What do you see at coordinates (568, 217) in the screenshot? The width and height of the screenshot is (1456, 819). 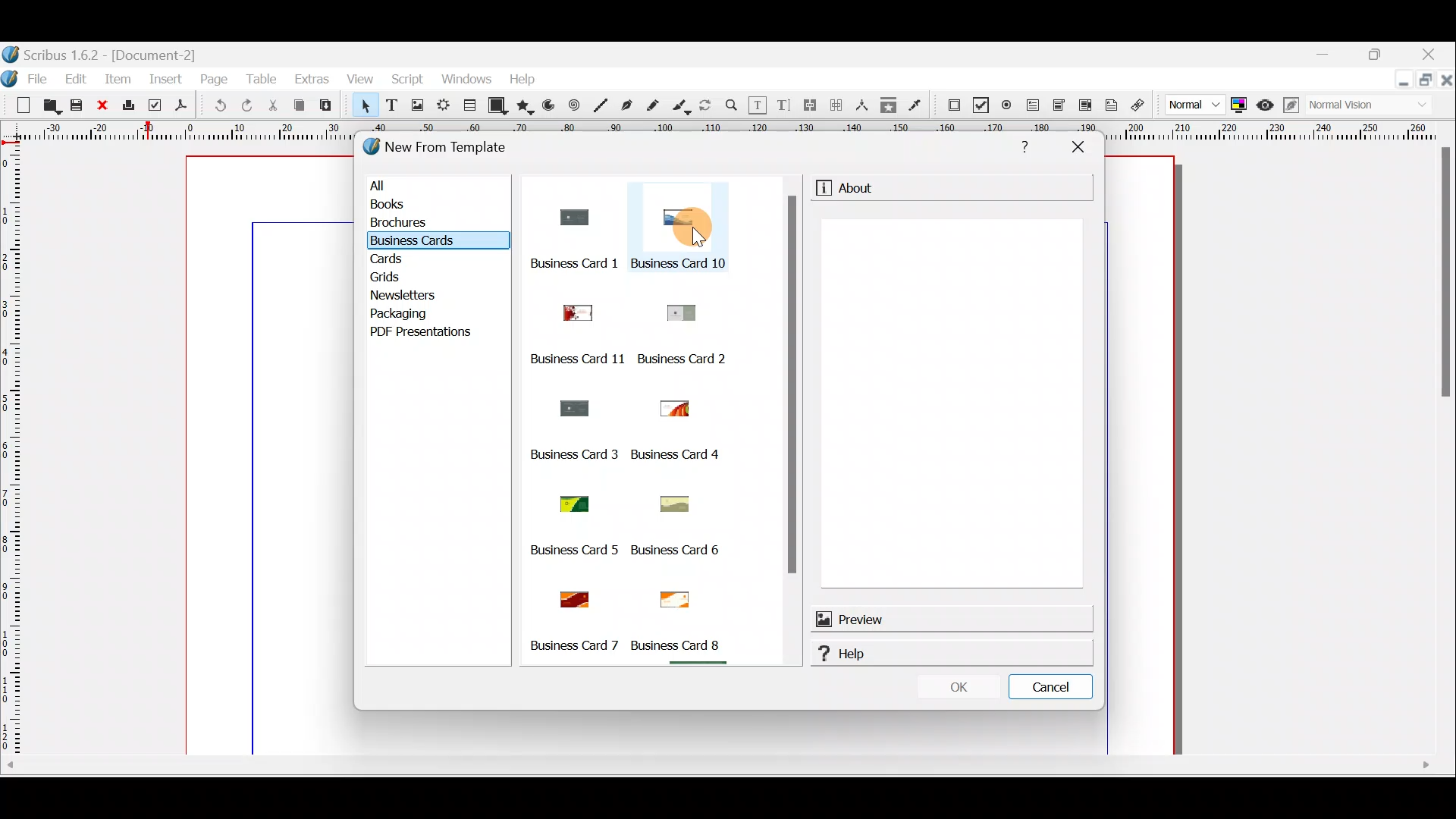 I see `Business card image` at bounding box center [568, 217].